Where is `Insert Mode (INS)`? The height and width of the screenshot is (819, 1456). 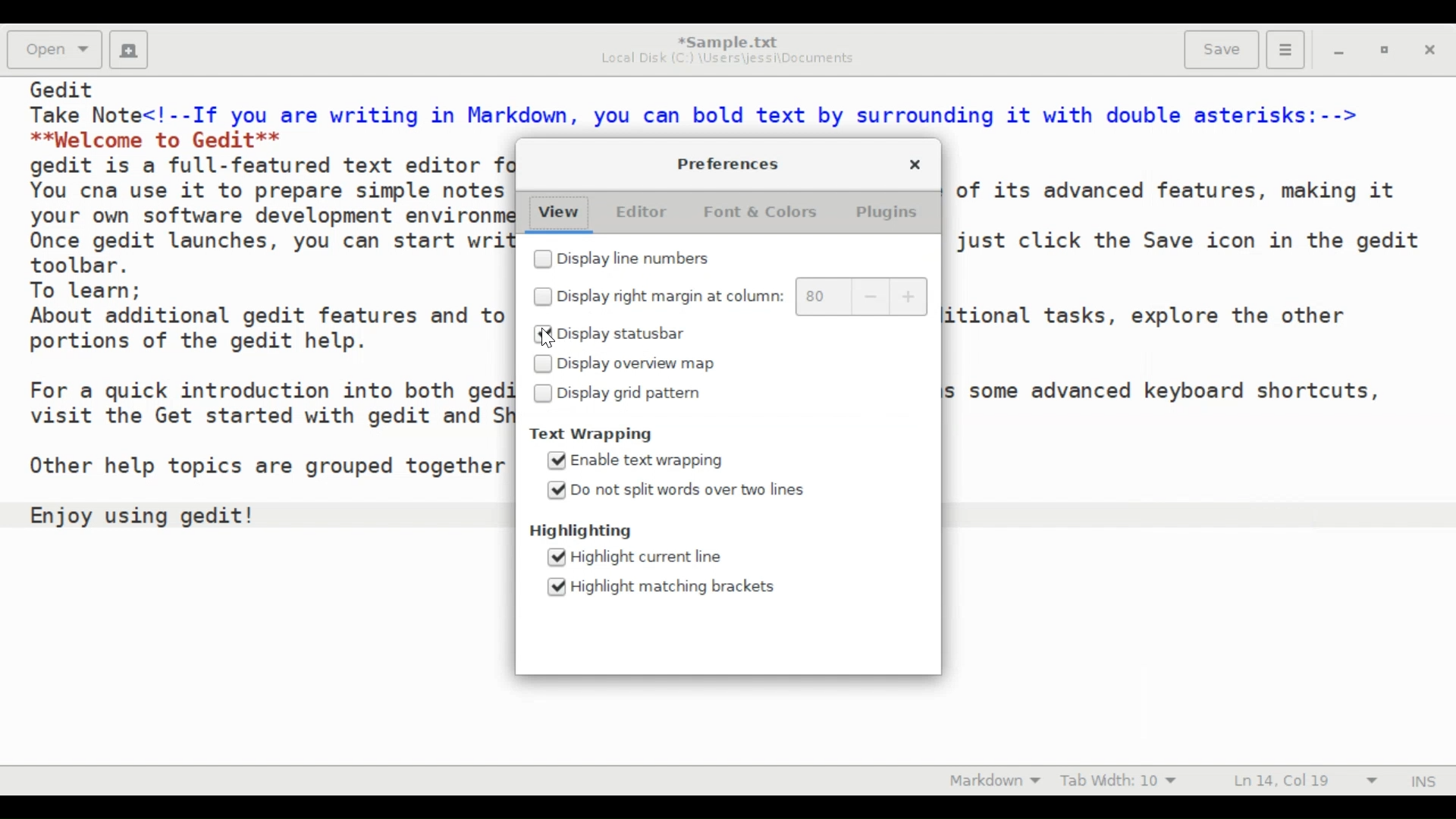 Insert Mode (INS) is located at coordinates (1421, 780).